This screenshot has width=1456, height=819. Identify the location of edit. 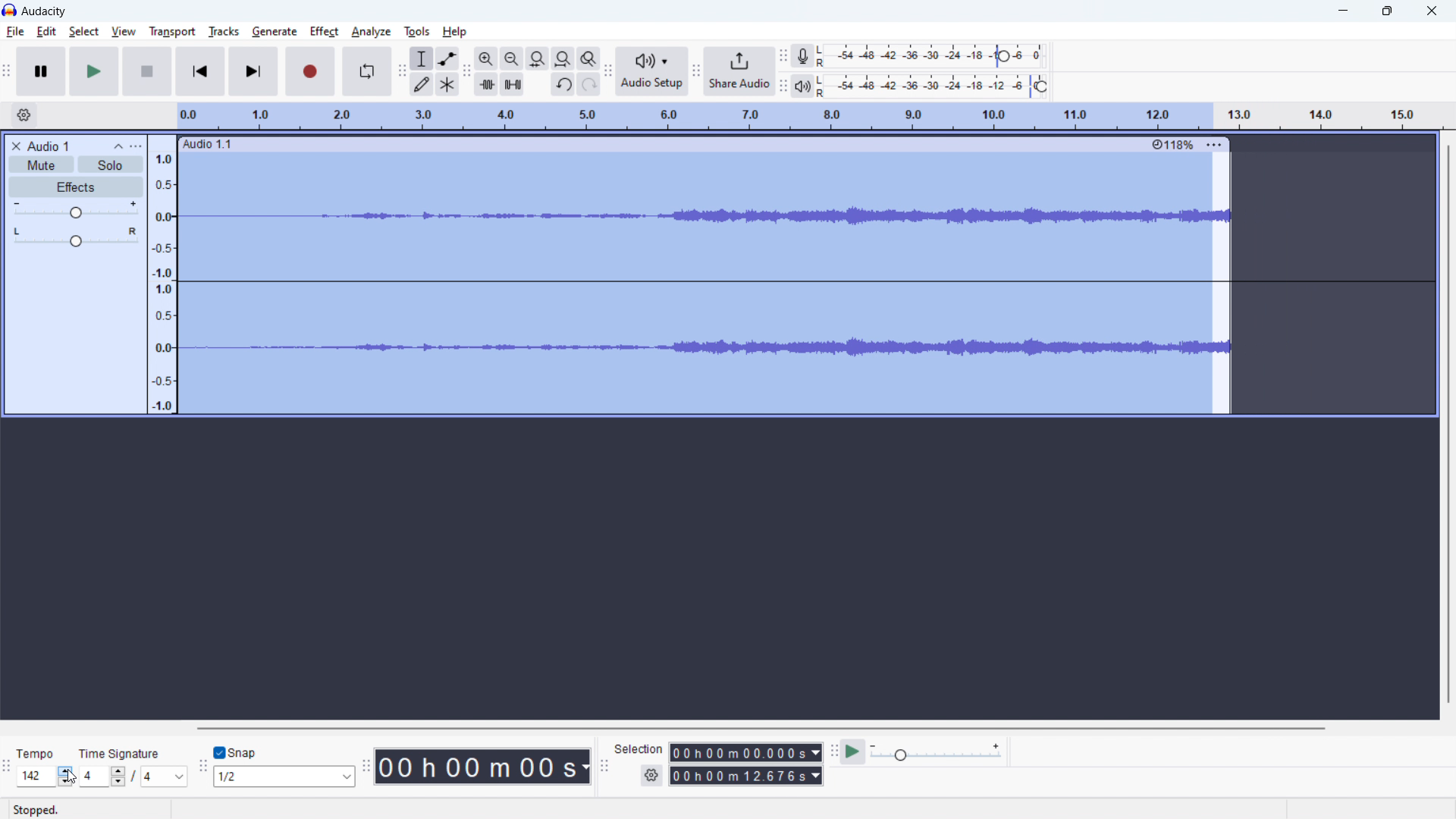
(47, 32).